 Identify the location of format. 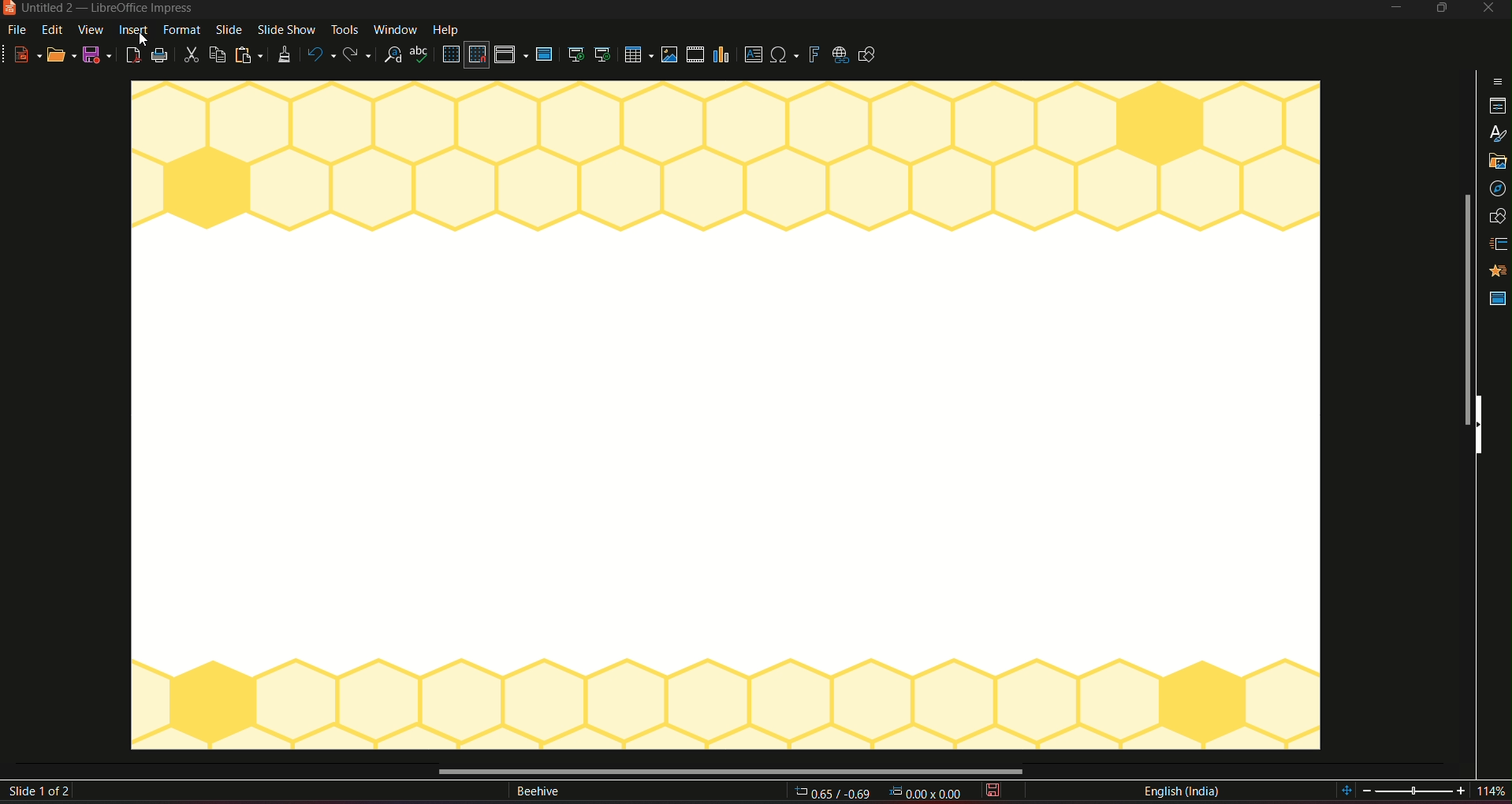
(182, 30).